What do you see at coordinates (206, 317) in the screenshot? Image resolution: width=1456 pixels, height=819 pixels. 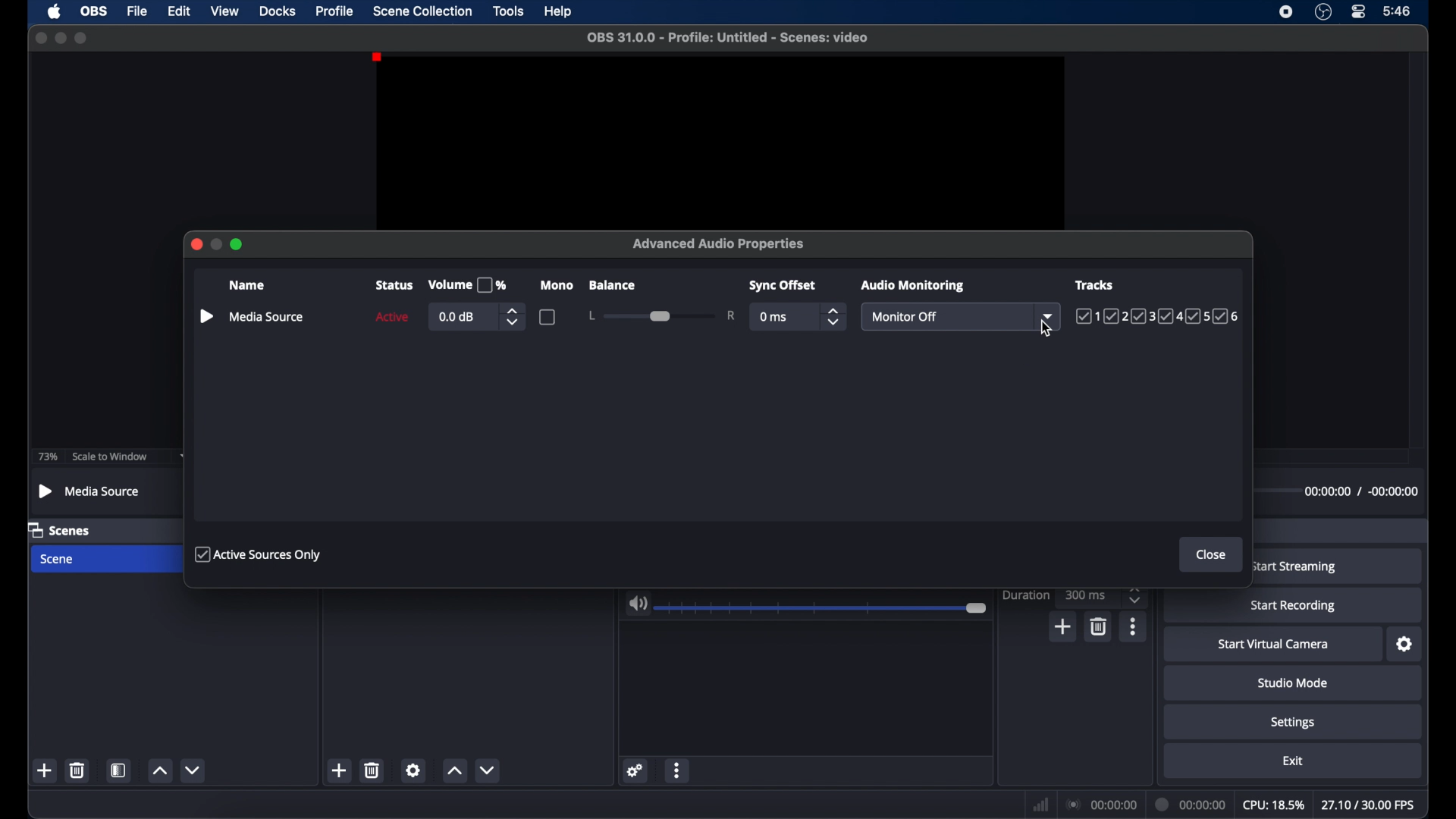 I see `sidebar` at bounding box center [206, 317].